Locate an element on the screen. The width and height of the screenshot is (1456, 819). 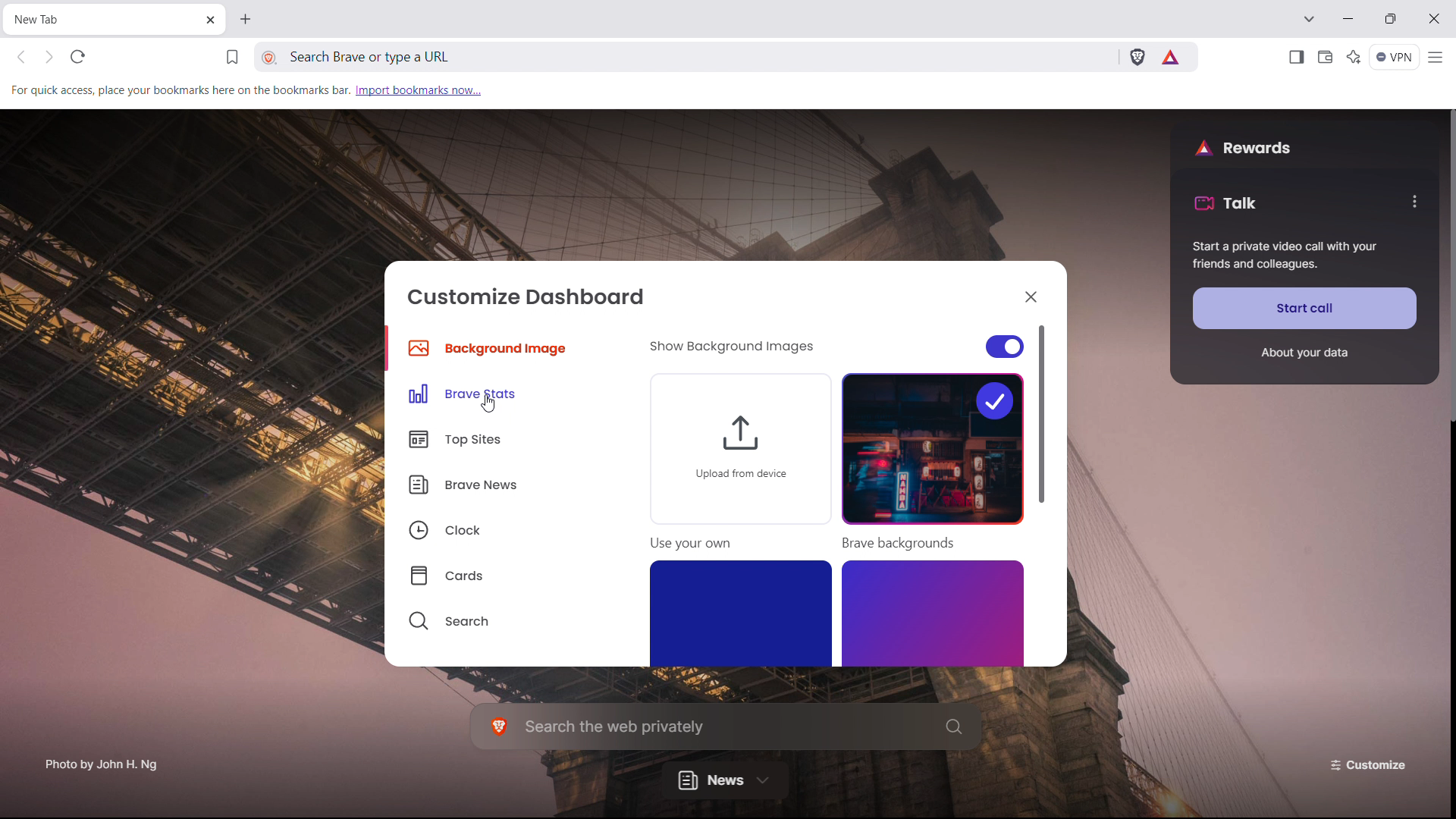
scroll bar is located at coordinates (1447, 618).